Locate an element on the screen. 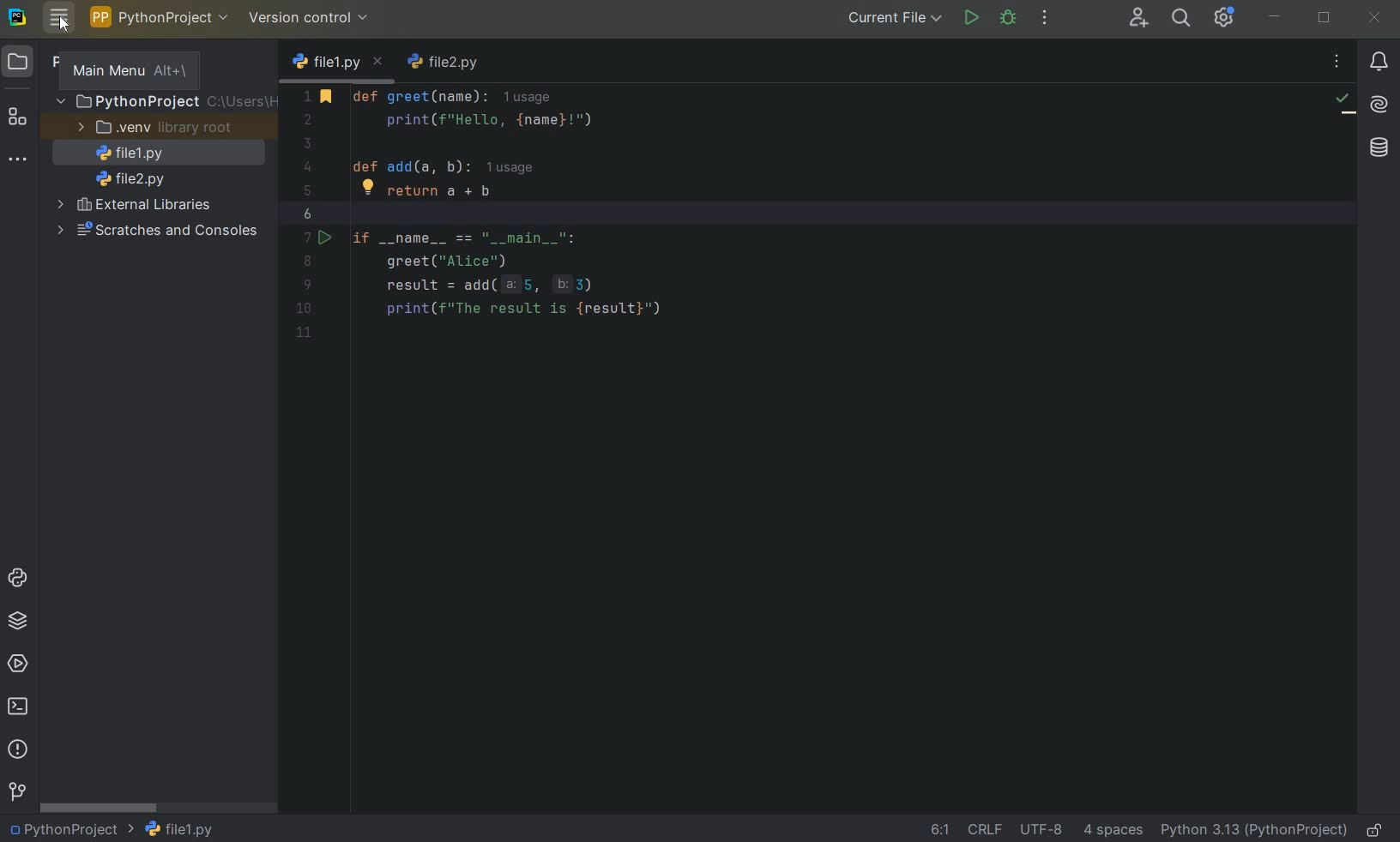  code is located at coordinates (542, 208).